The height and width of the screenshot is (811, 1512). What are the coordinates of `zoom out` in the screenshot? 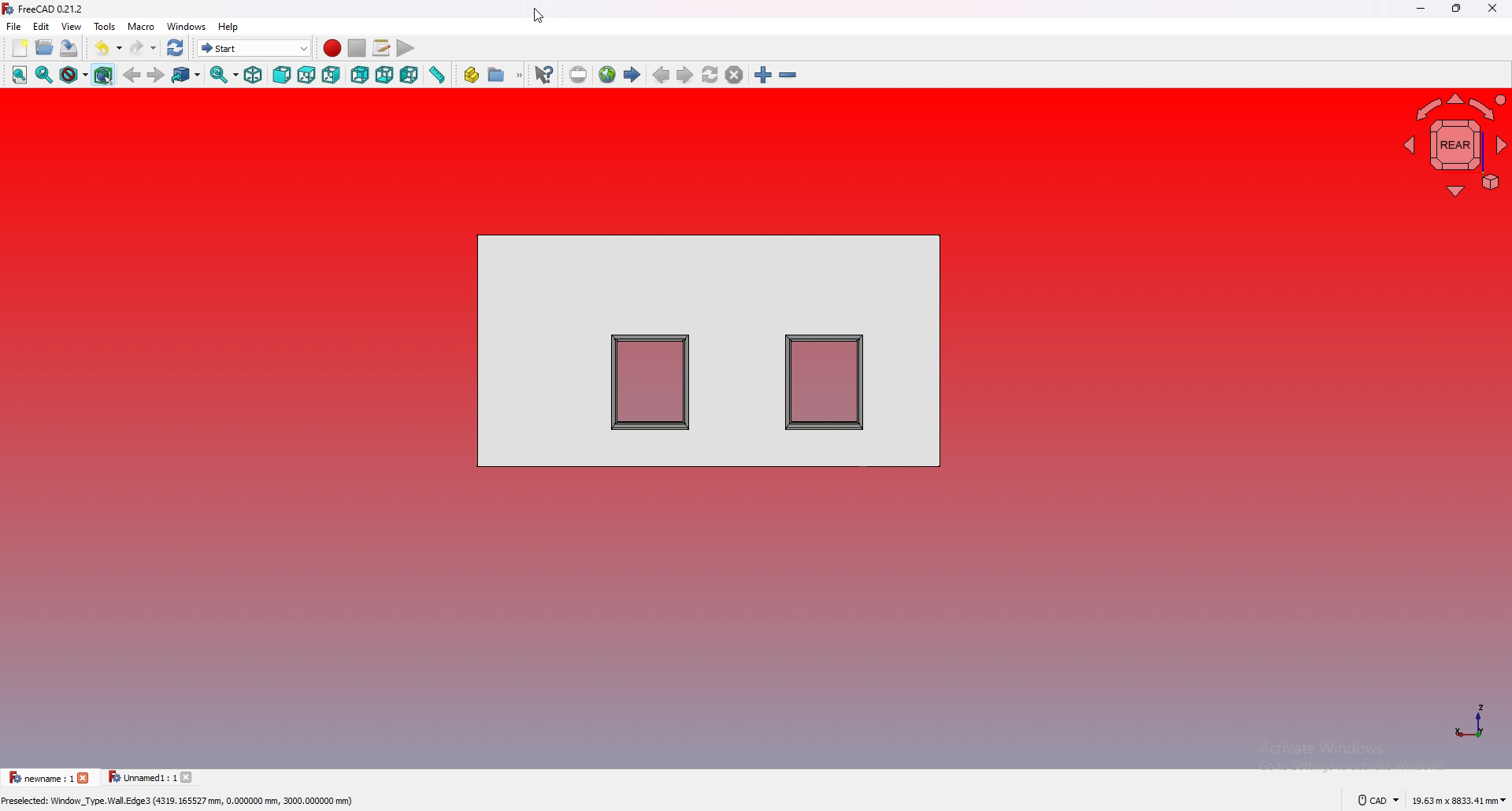 It's located at (788, 75).